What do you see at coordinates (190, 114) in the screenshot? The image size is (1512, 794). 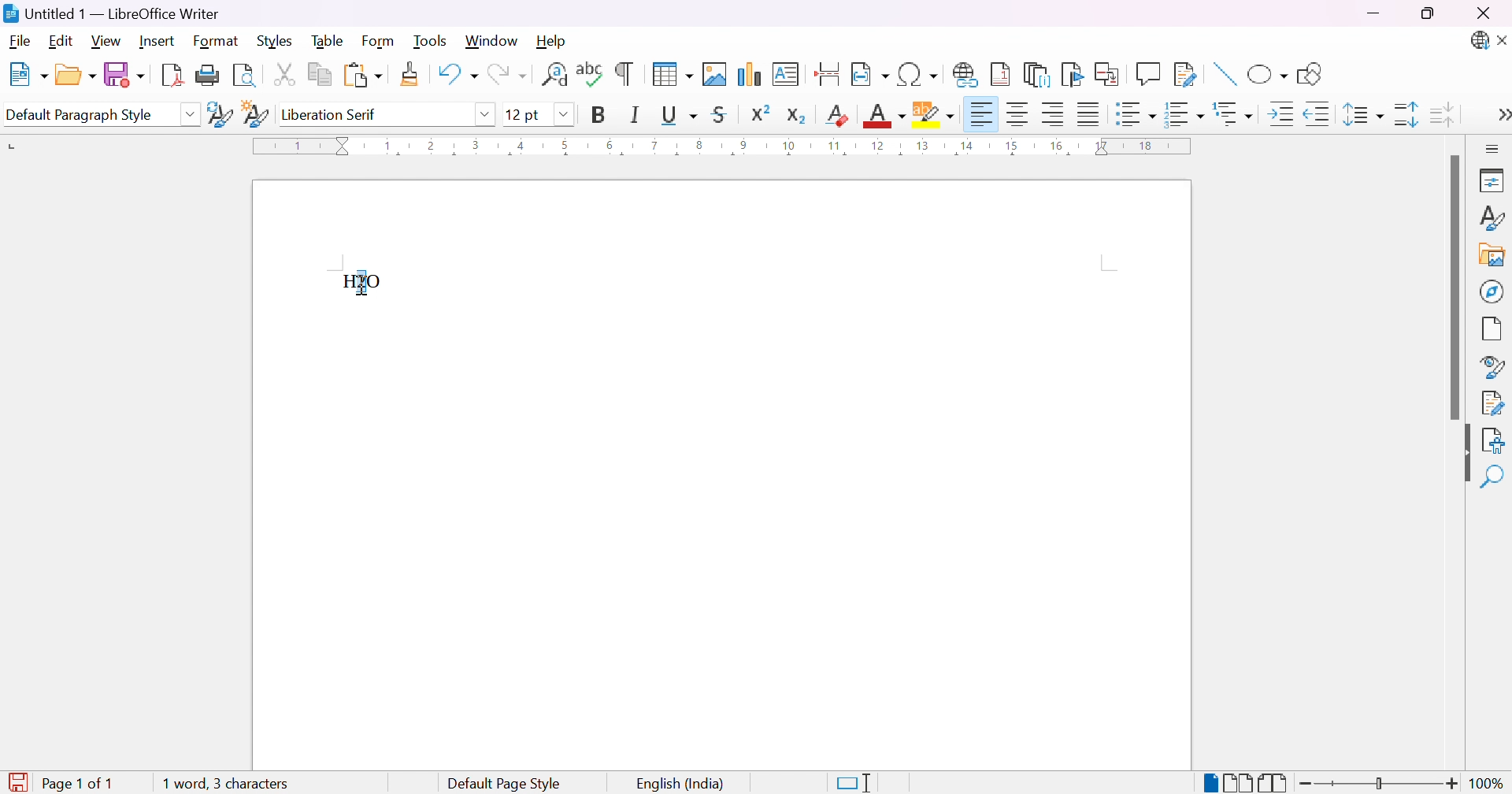 I see `Drop down` at bounding box center [190, 114].